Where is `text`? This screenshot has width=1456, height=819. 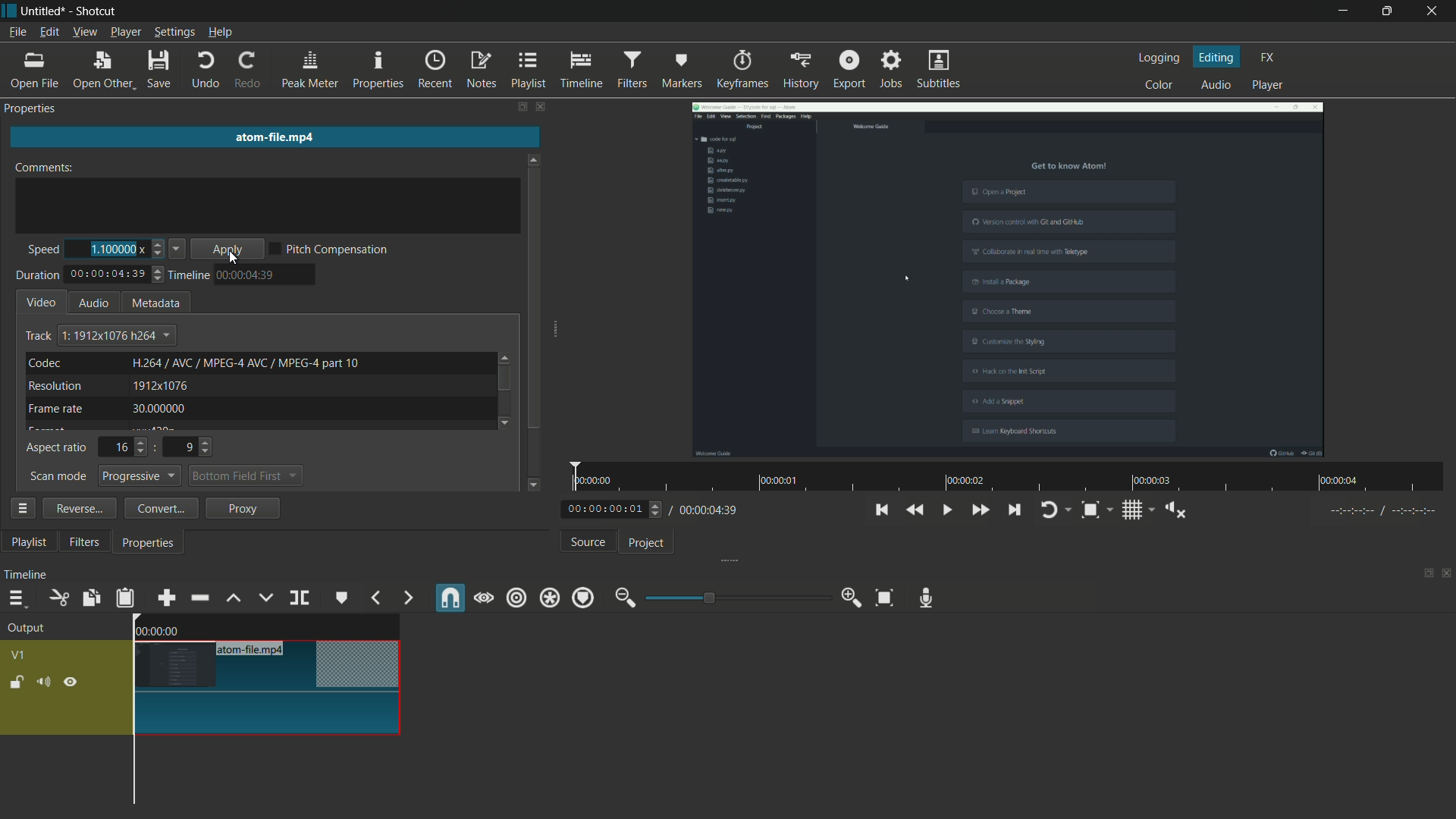
text is located at coordinates (246, 362).